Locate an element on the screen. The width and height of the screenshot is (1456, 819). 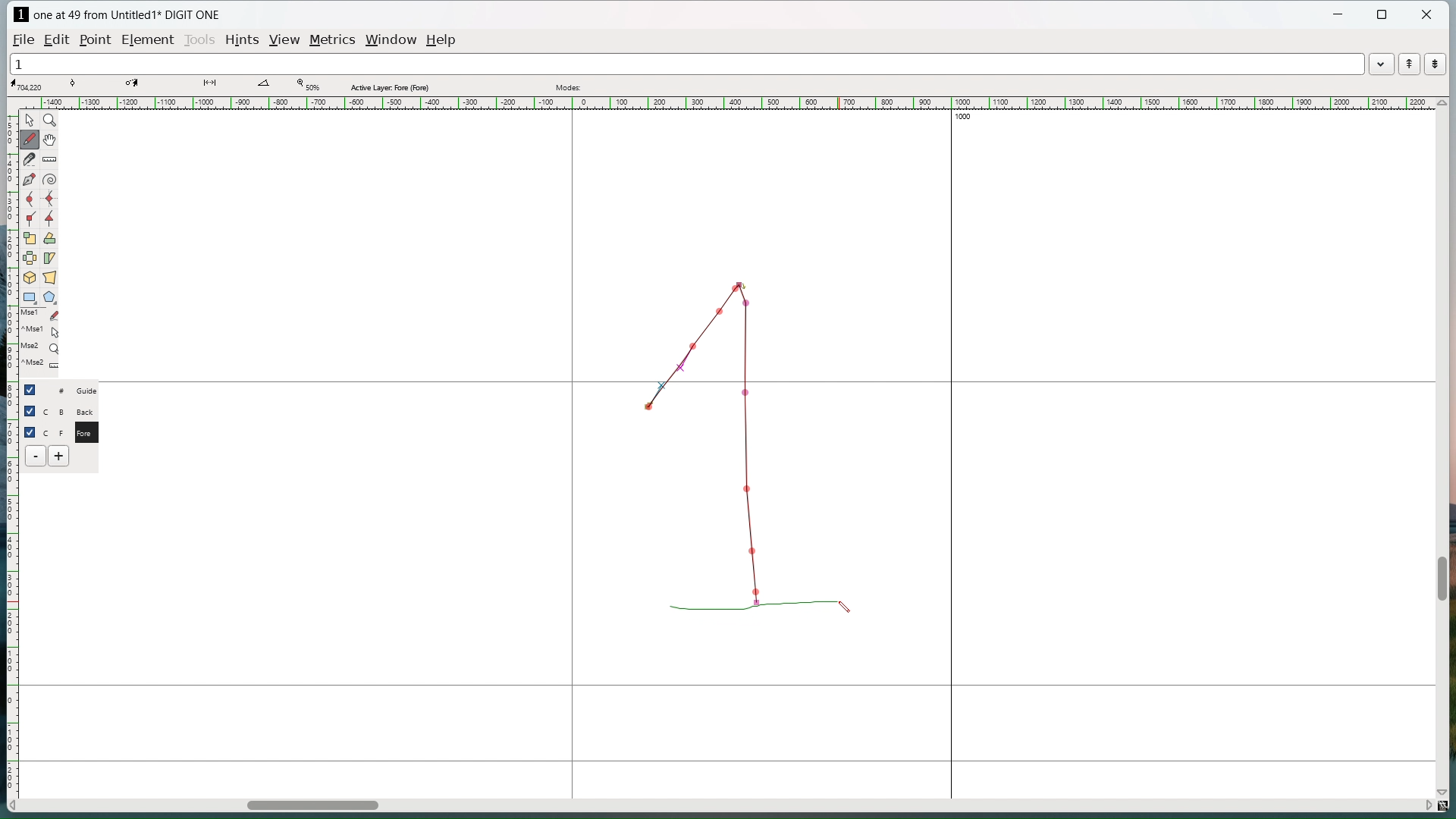
skew selection is located at coordinates (50, 258).